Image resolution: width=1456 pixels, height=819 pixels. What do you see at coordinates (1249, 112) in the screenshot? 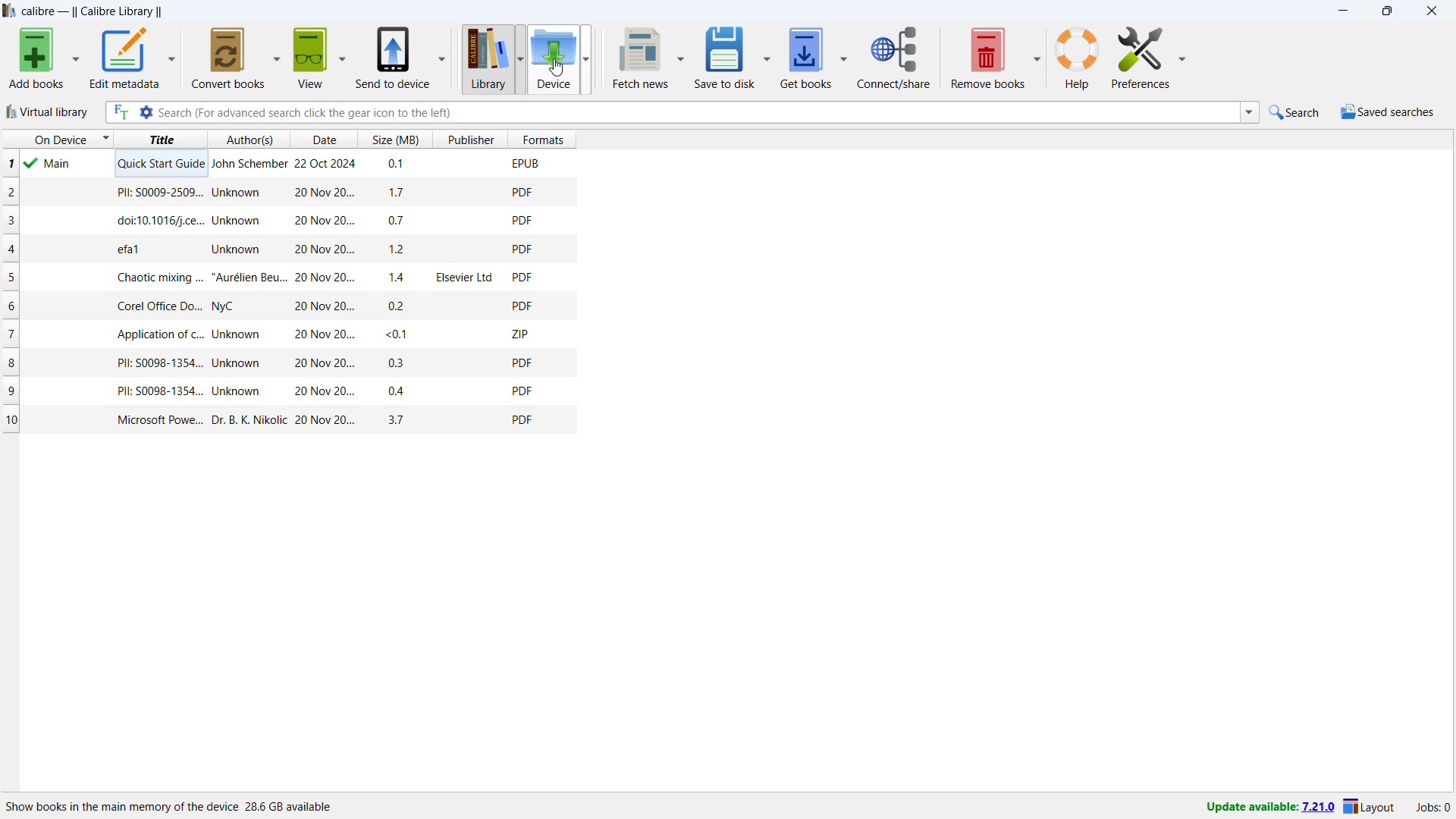
I see `search history` at bounding box center [1249, 112].